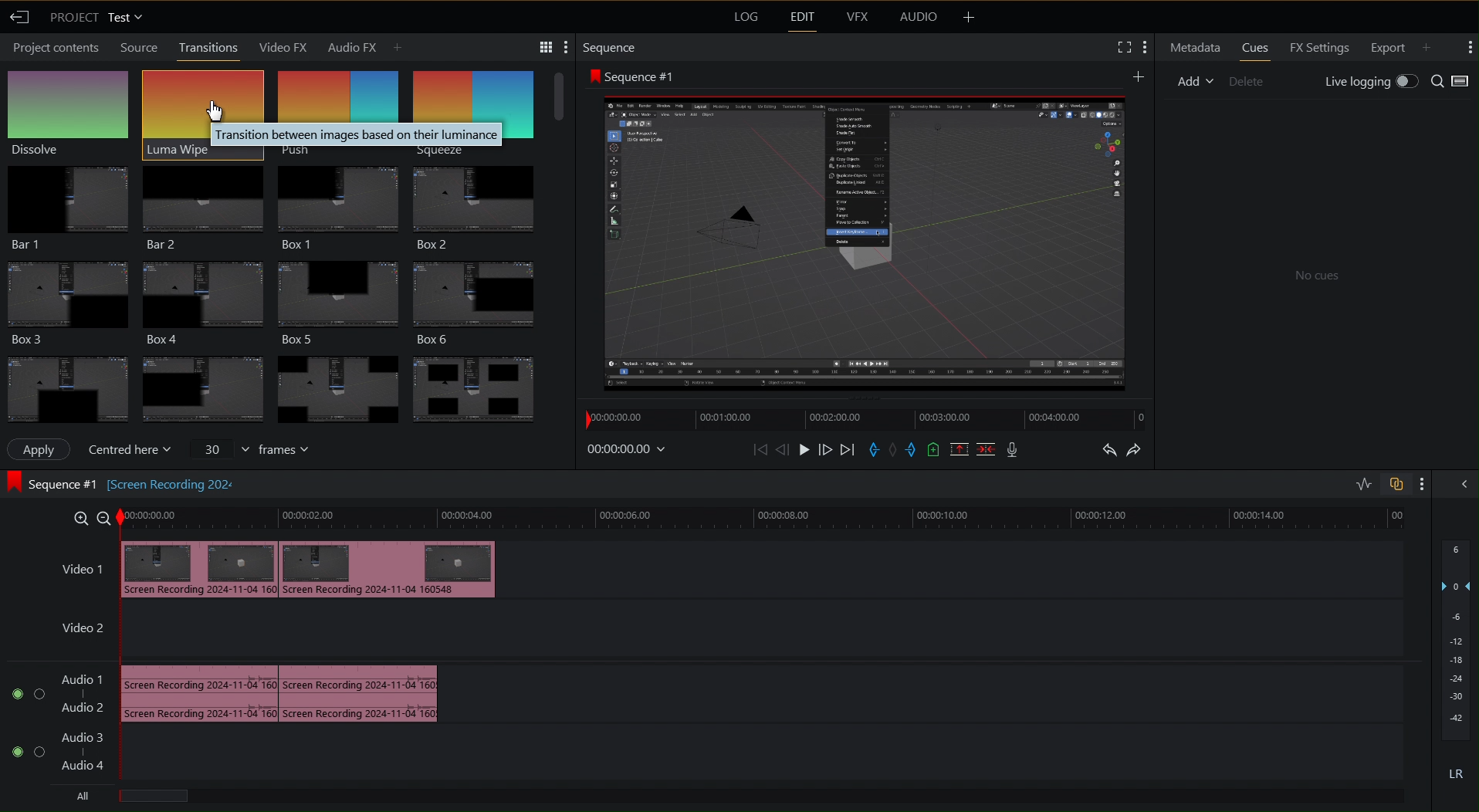 This screenshot has width=1479, height=812. Describe the element at coordinates (1139, 448) in the screenshot. I see `Redo` at that location.